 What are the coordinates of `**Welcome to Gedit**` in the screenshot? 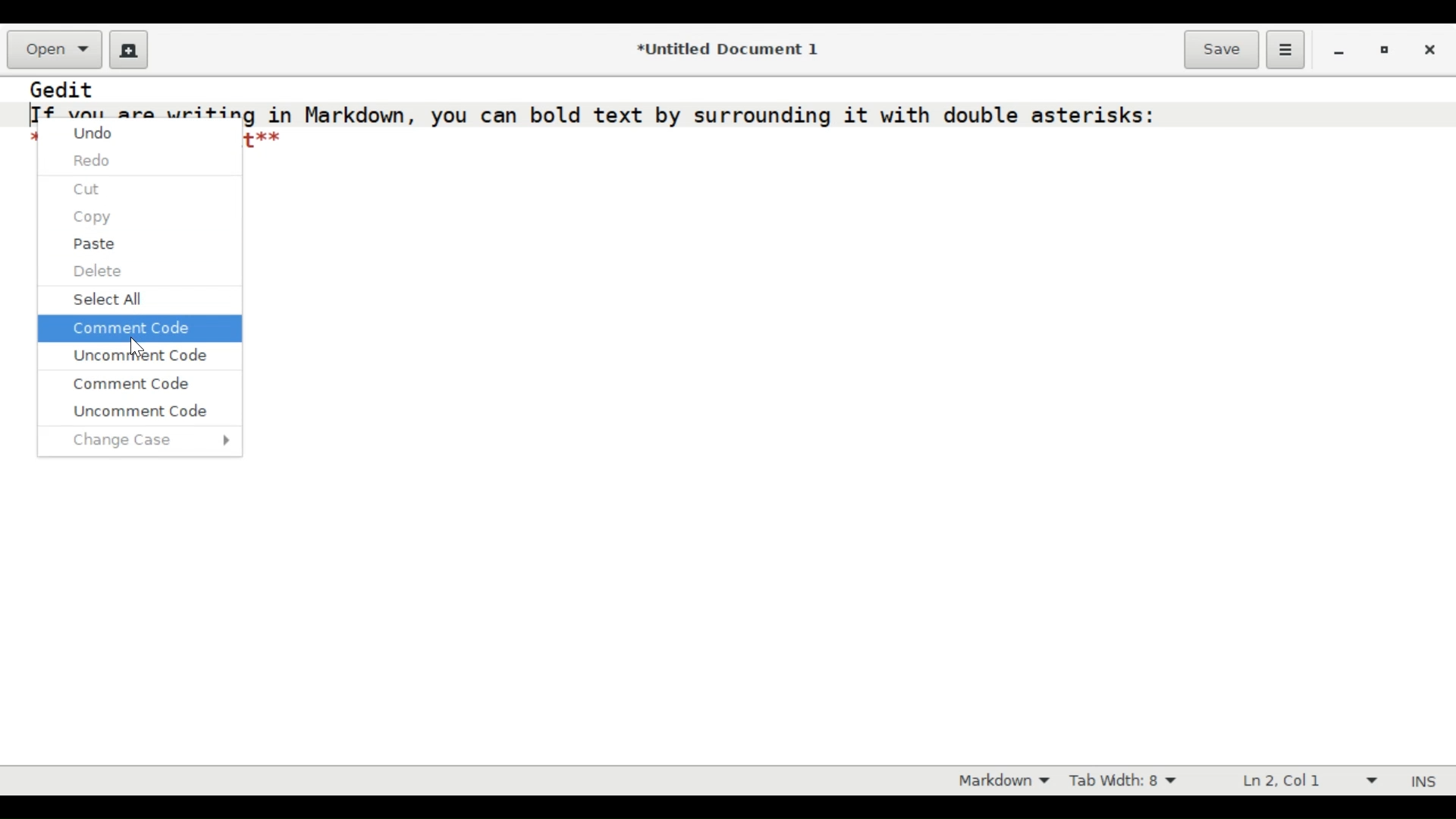 It's located at (262, 140).